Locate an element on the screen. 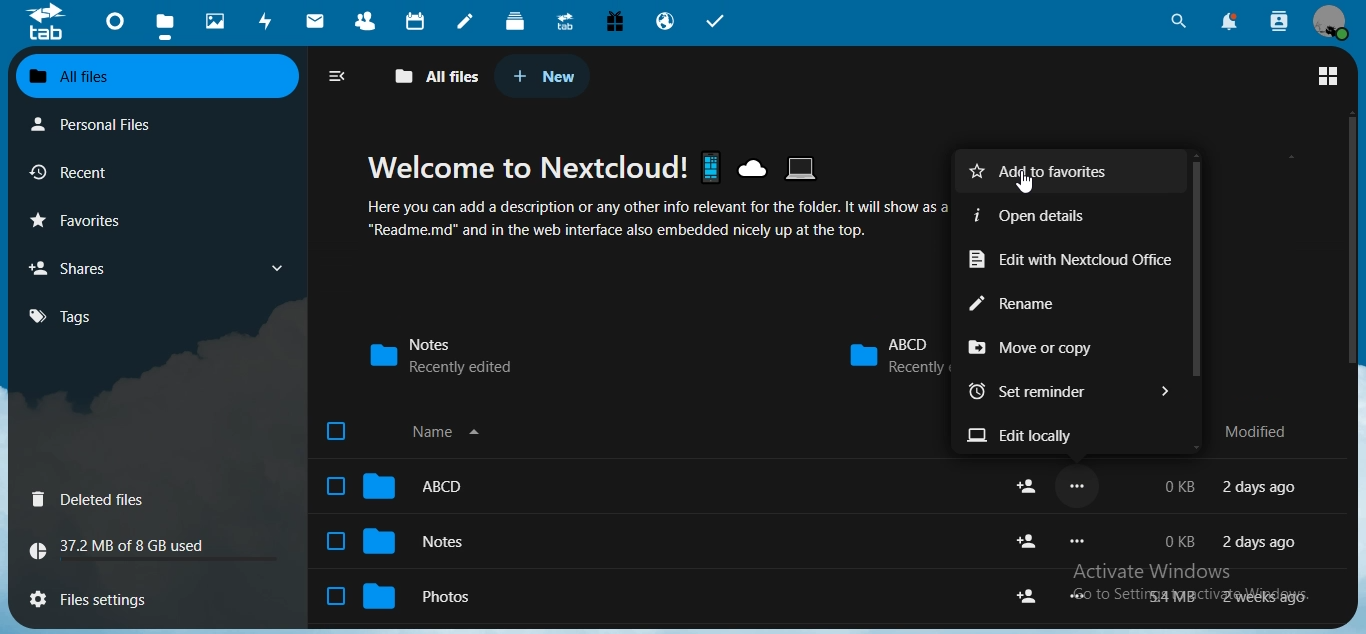 This screenshot has width=1366, height=634. dashboard is located at coordinates (113, 21).